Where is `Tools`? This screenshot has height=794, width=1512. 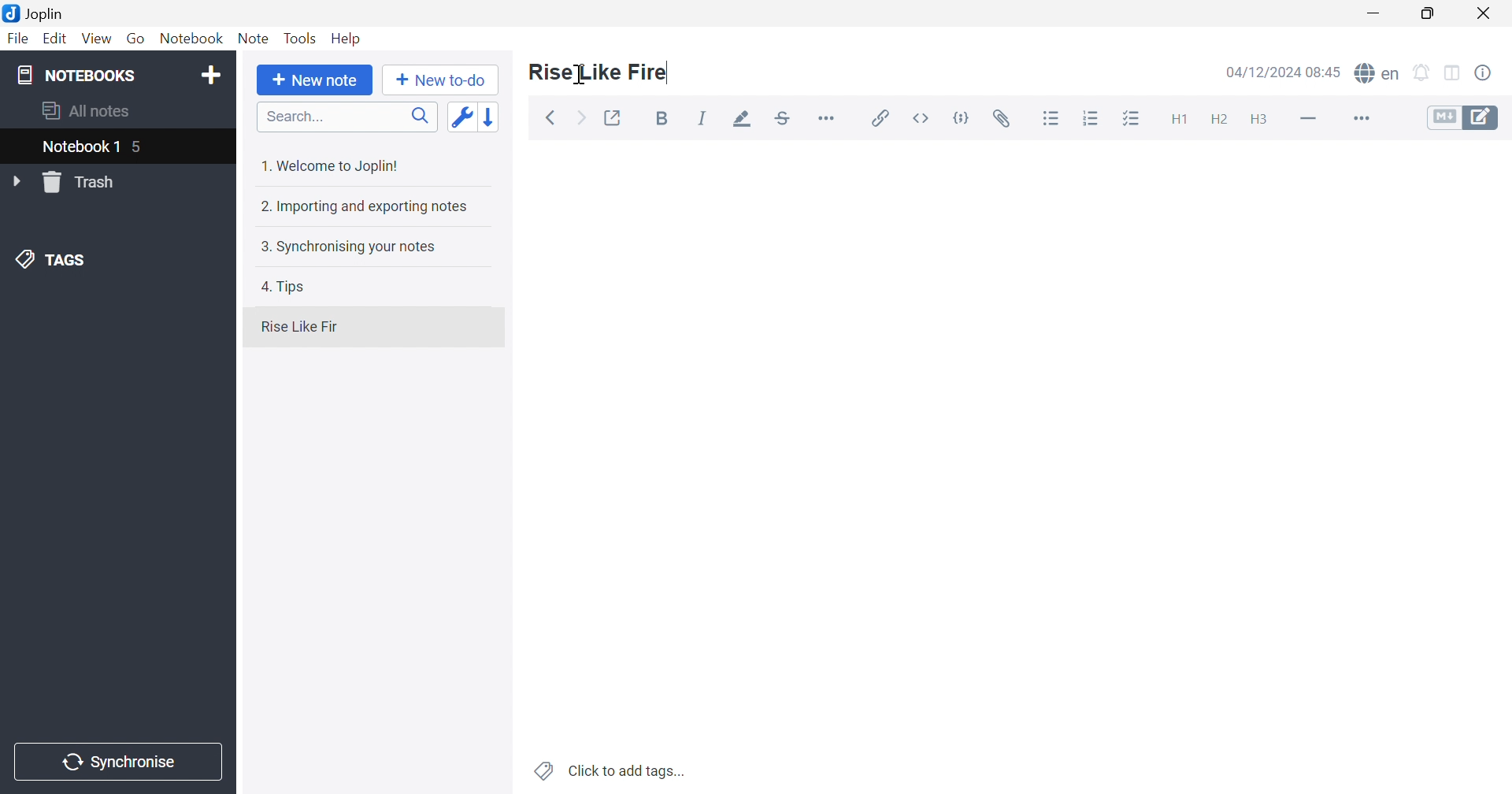
Tools is located at coordinates (301, 37).